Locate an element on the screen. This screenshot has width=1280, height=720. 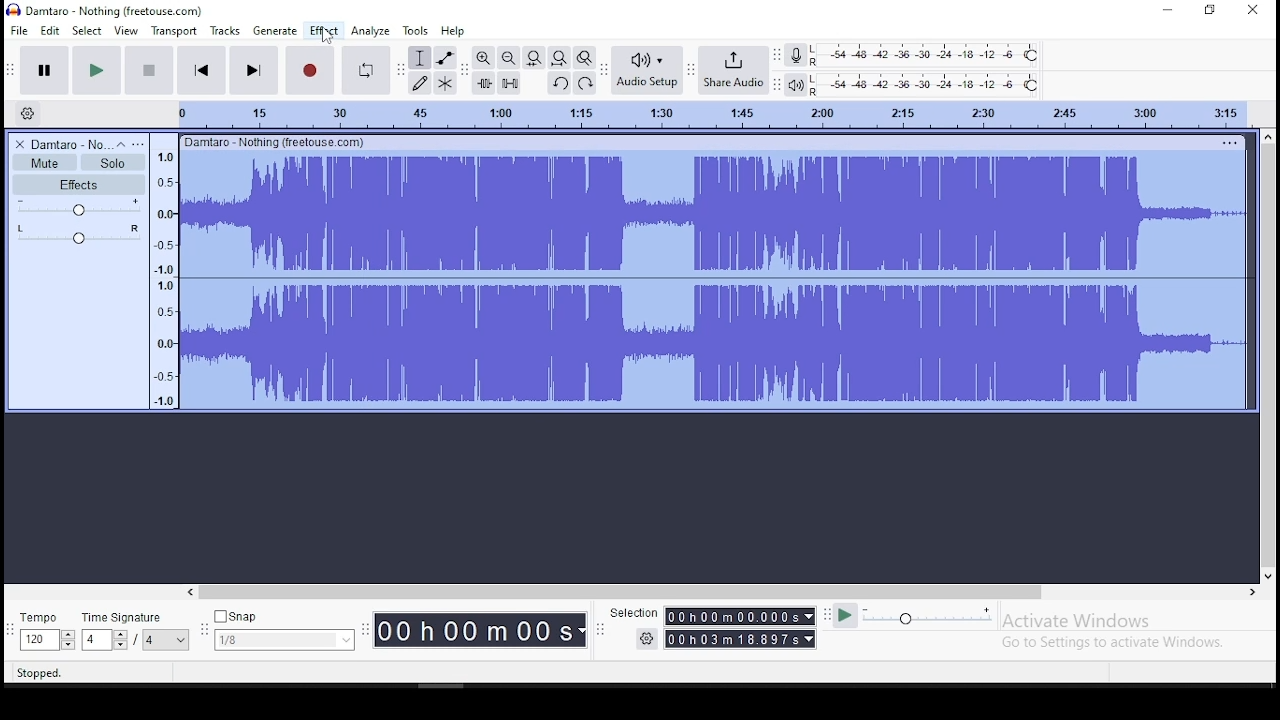
left is located at coordinates (193, 592).